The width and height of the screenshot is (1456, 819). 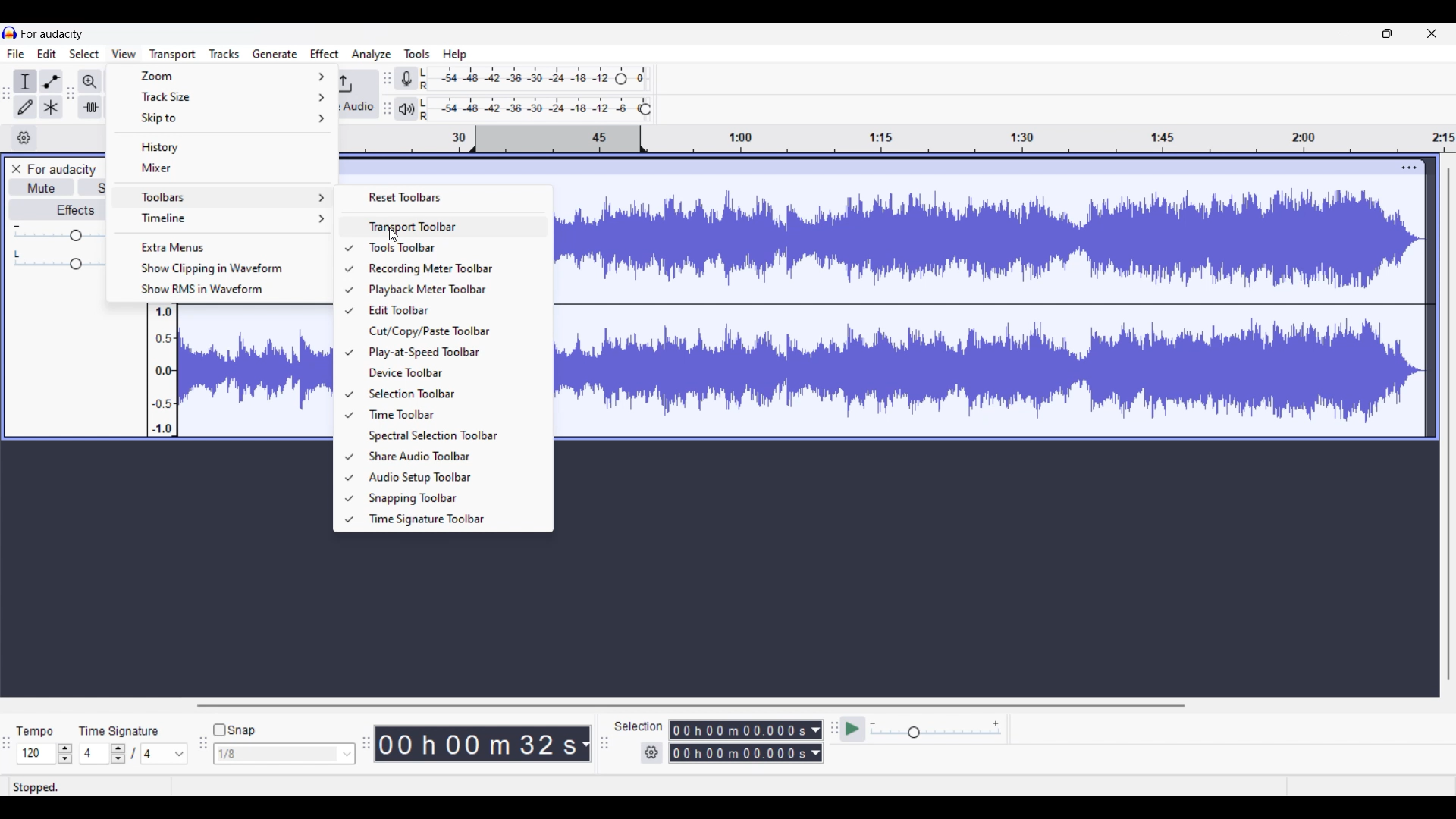 What do you see at coordinates (639, 726) in the screenshot?
I see `Indicates selection duration settings` at bounding box center [639, 726].